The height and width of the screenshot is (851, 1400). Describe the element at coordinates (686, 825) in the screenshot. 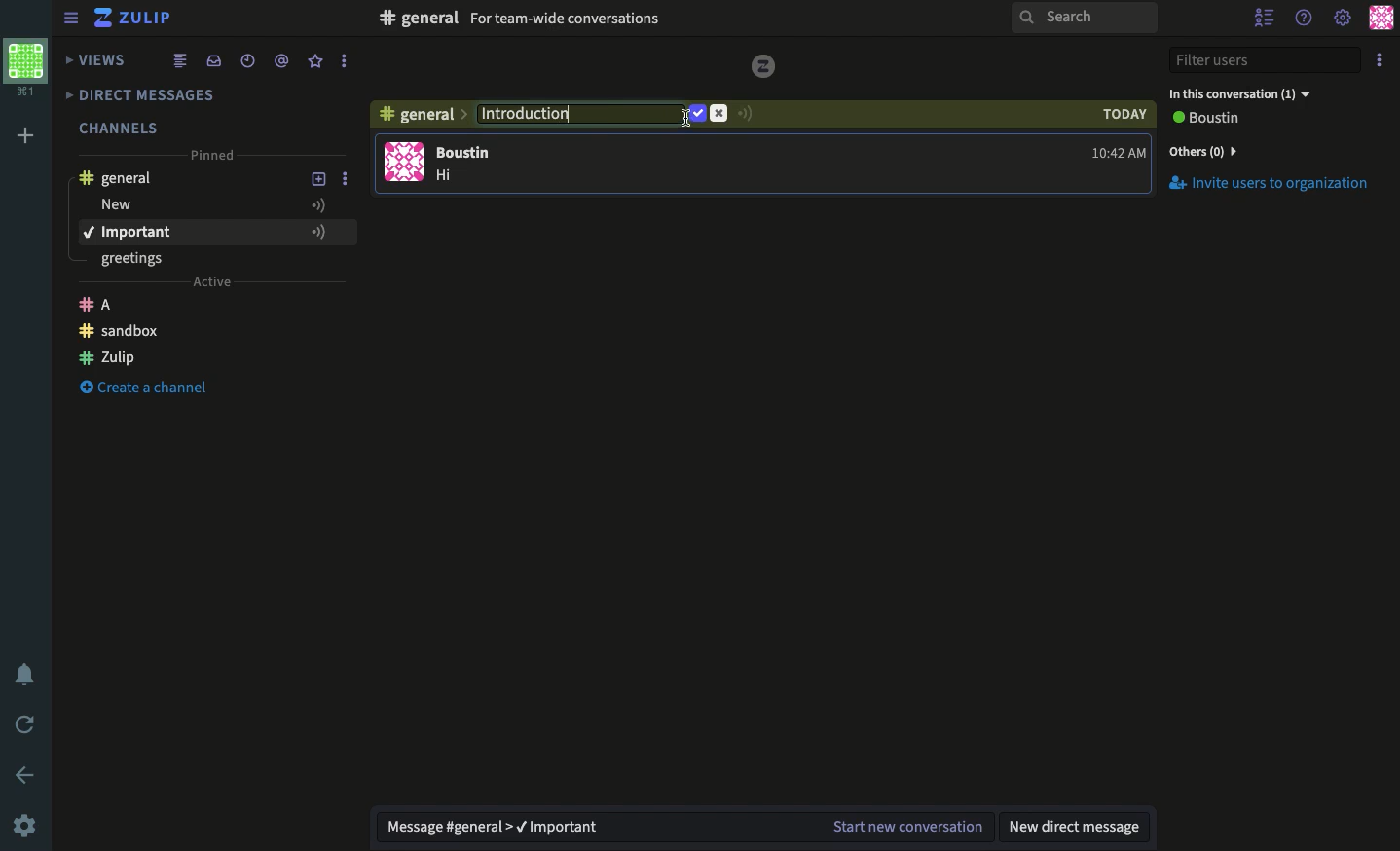

I see `Message` at that location.